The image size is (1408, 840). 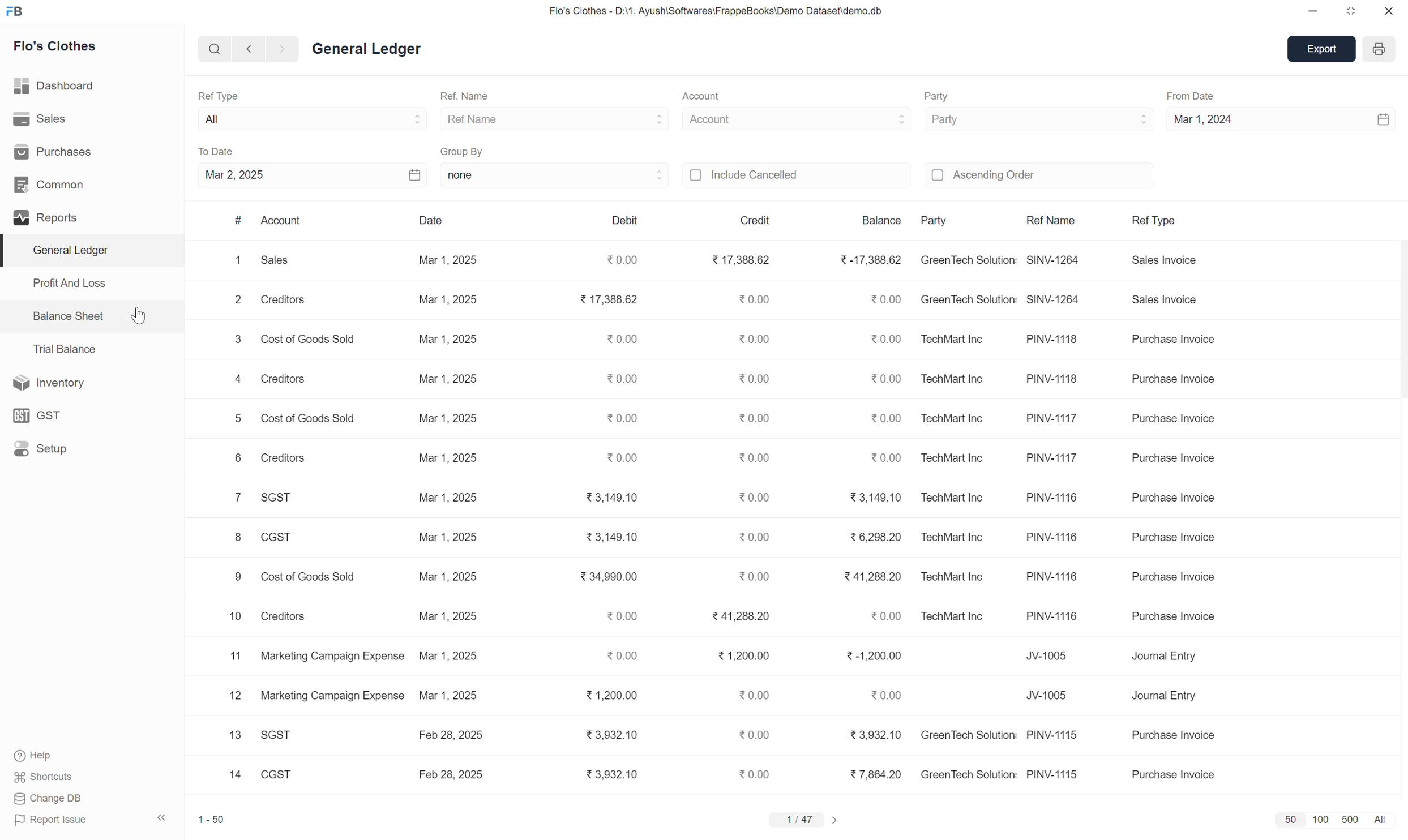 What do you see at coordinates (310, 176) in the screenshot?
I see `Mar 2, 2025` at bounding box center [310, 176].